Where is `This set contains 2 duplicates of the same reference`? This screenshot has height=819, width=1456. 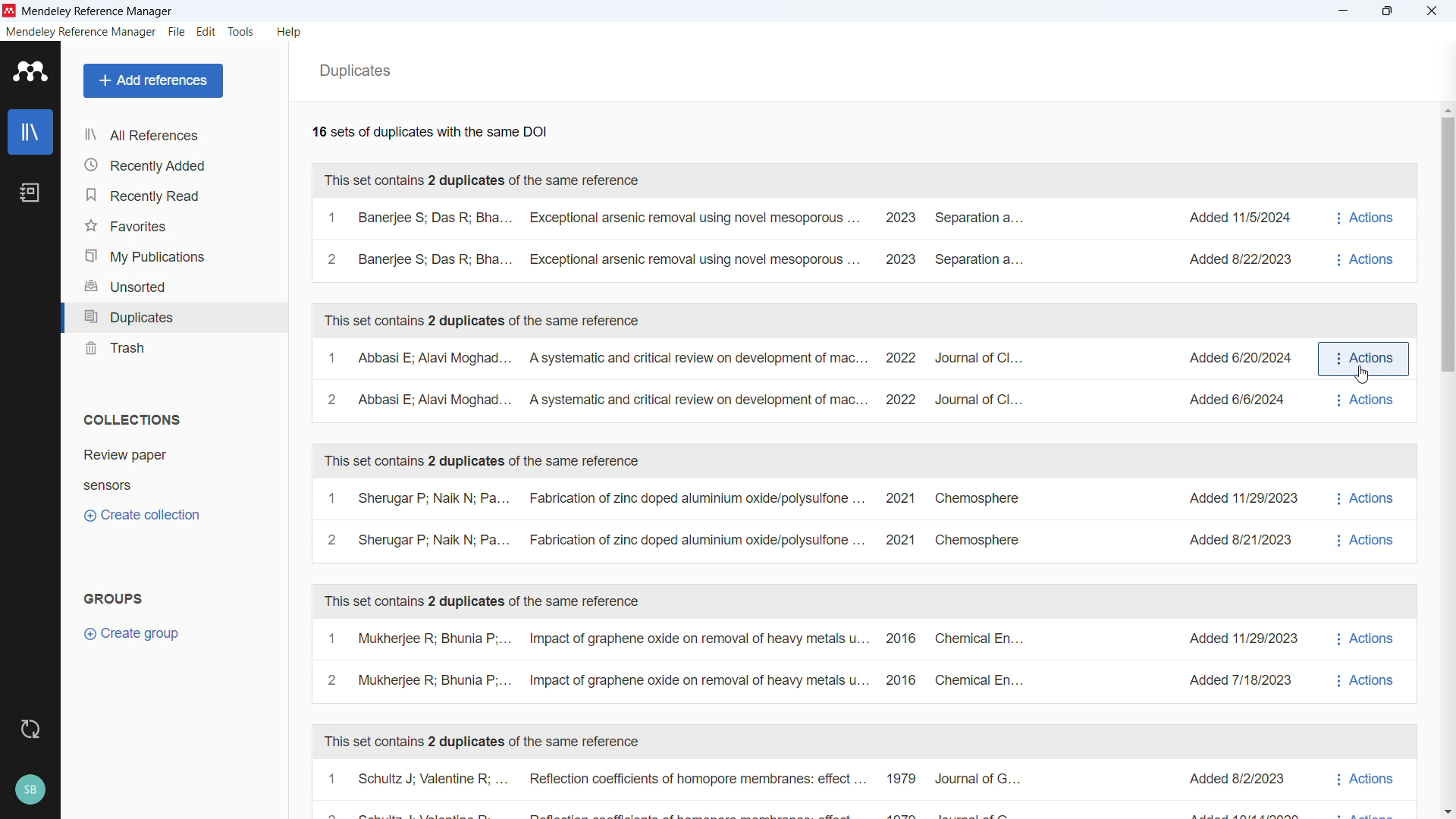
This set contains 2 duplicates of the same reference is located at coordinates (482, 322).